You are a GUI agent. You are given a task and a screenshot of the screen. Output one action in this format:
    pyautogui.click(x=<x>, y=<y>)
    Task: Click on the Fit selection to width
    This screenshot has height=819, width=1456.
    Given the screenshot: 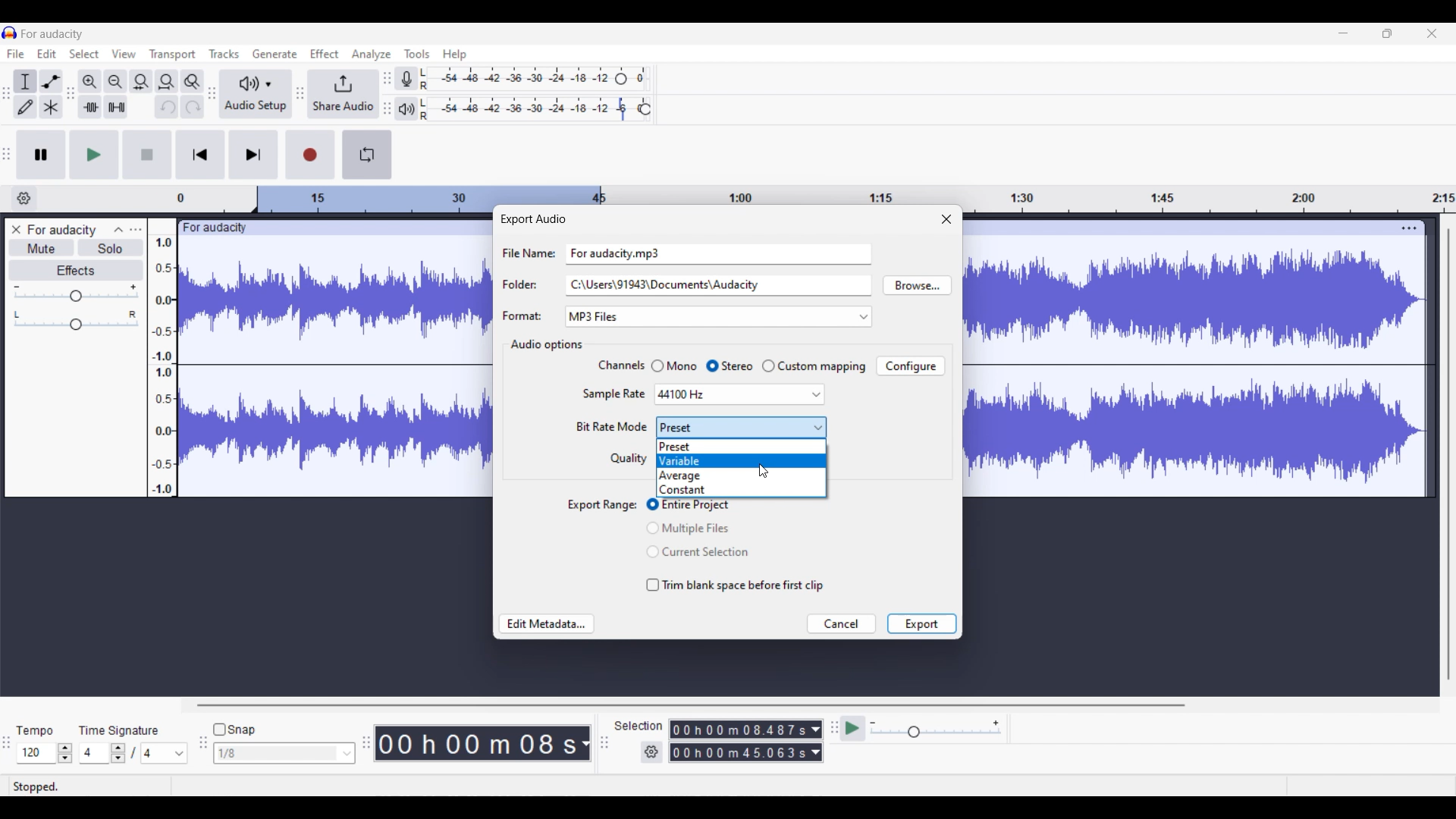 What is the action you would take?
    pyautogui.click(x=140, y=83)
    